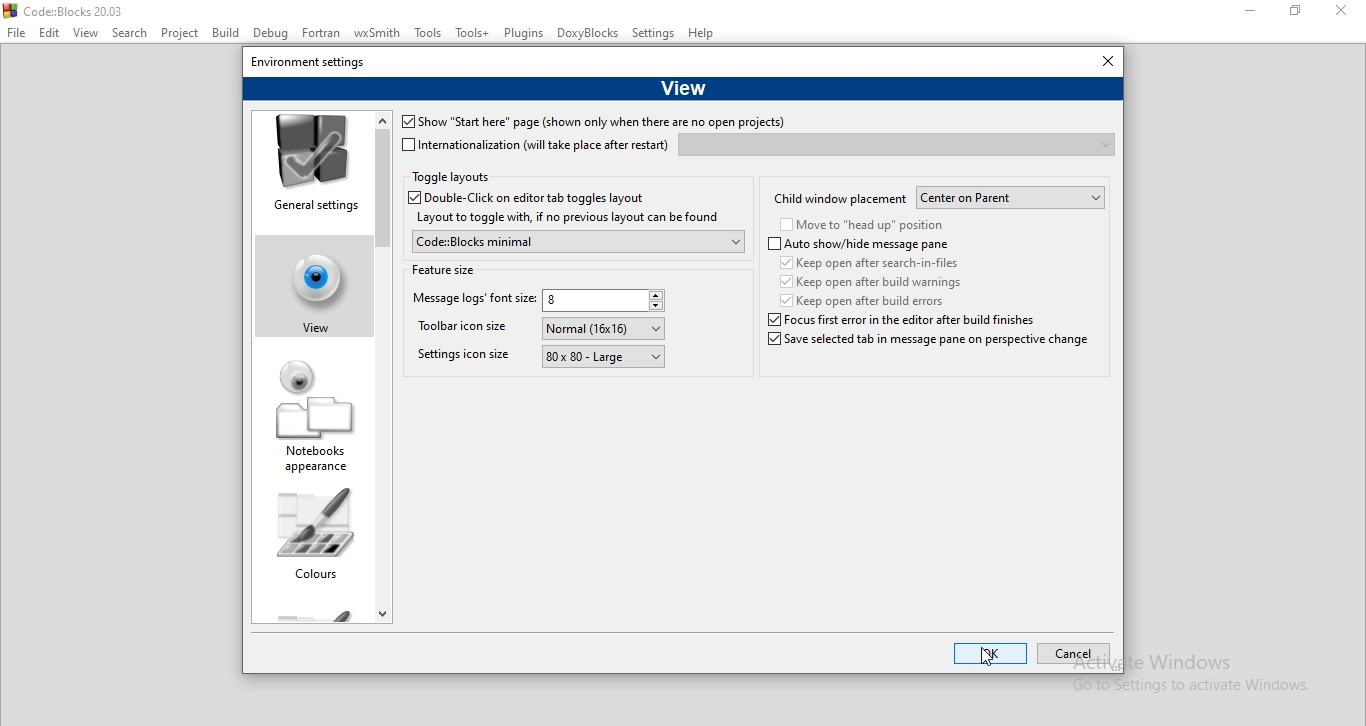 The height and width of the screenshot is (726, 1366). What do you see at coordinates (604, 328) in the screenshot?
I see `Normal(75x75)` at bounding box center [604, 328].